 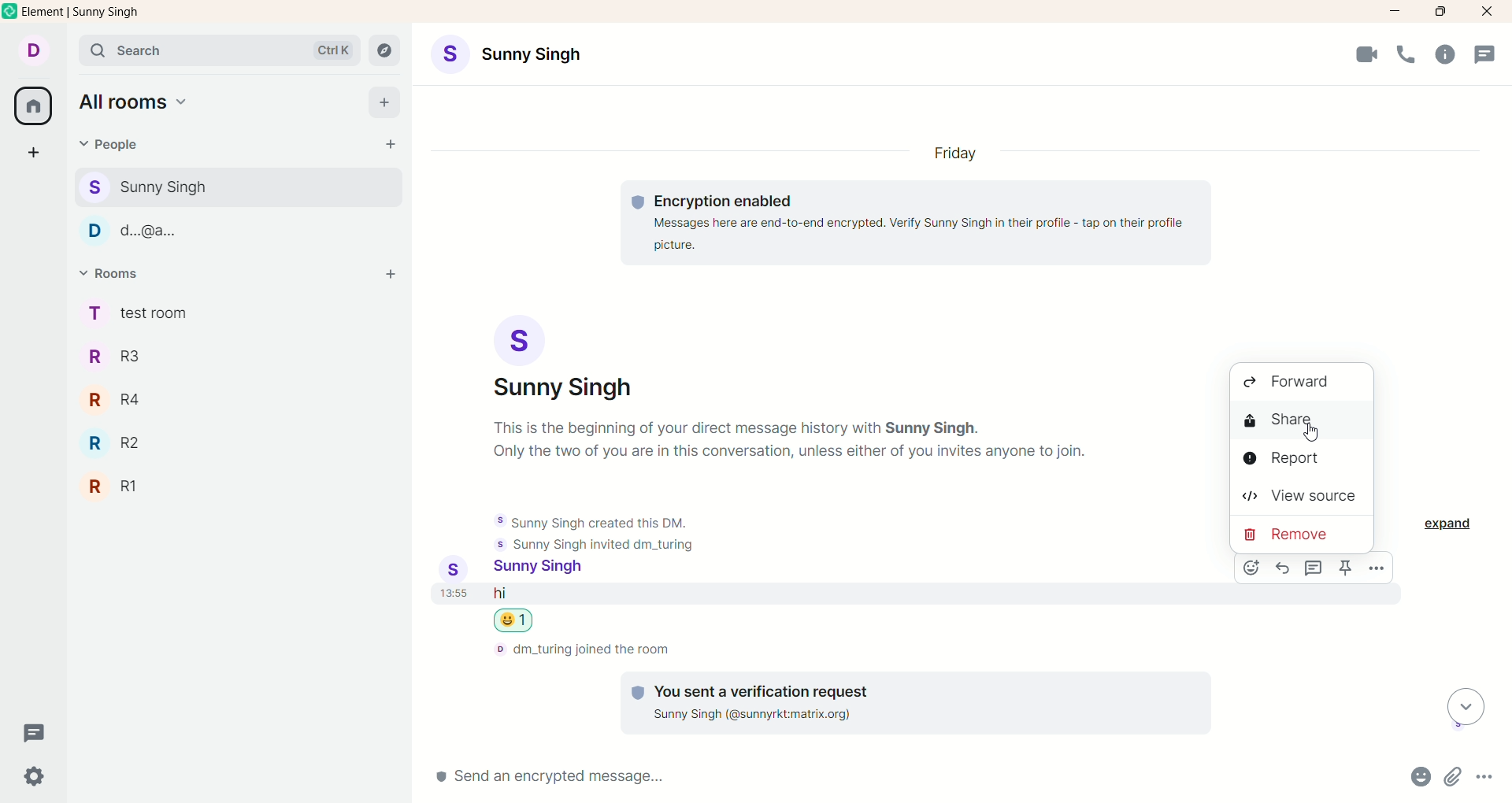 I want to click on rooms, so click(x=112, y=276).